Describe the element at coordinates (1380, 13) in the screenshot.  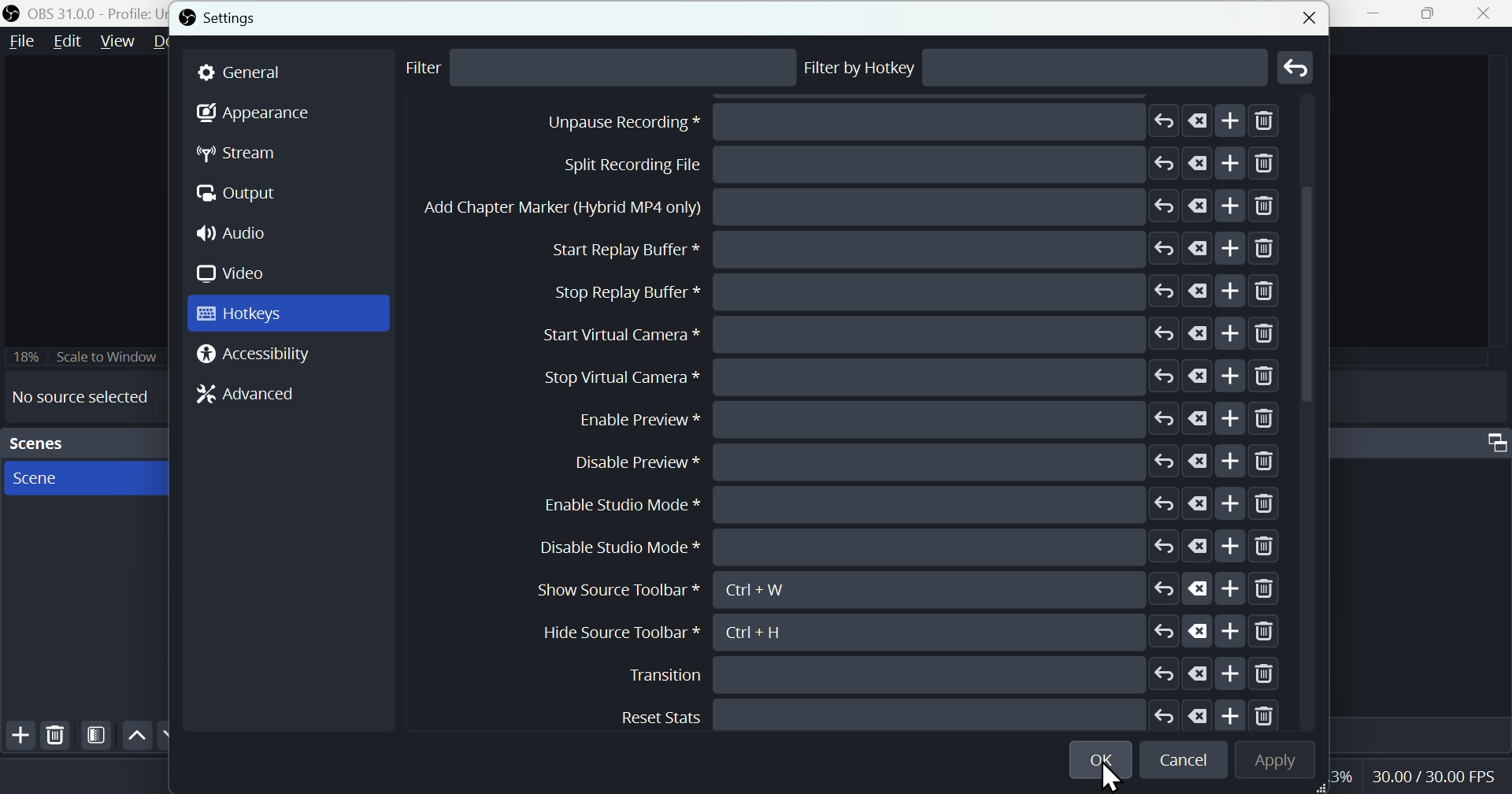
I see `minimise` at that location.